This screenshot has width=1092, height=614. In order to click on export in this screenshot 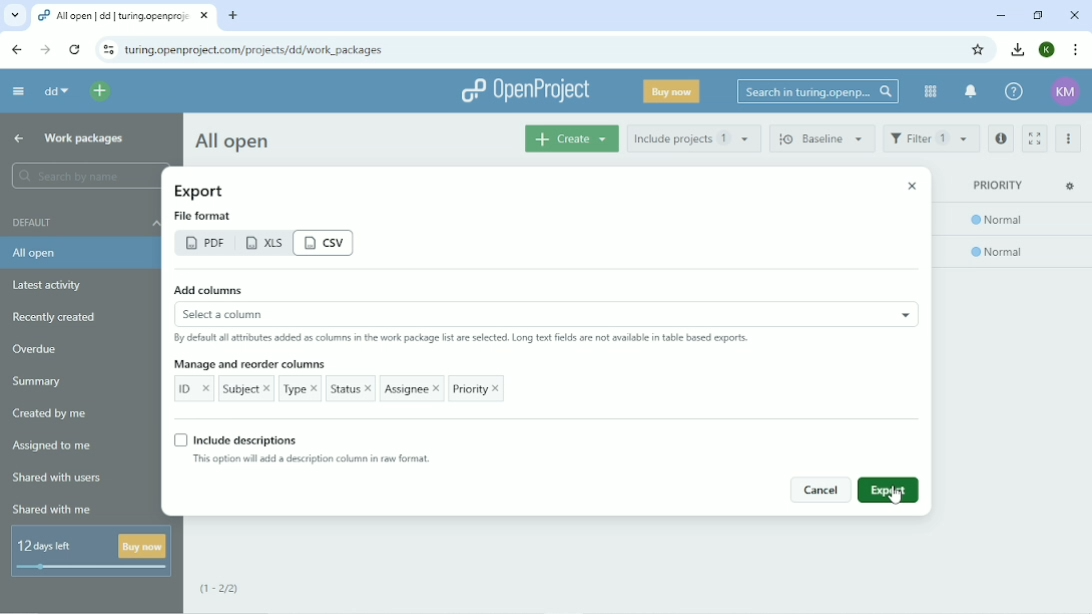, I will do `click(892, 489)`.